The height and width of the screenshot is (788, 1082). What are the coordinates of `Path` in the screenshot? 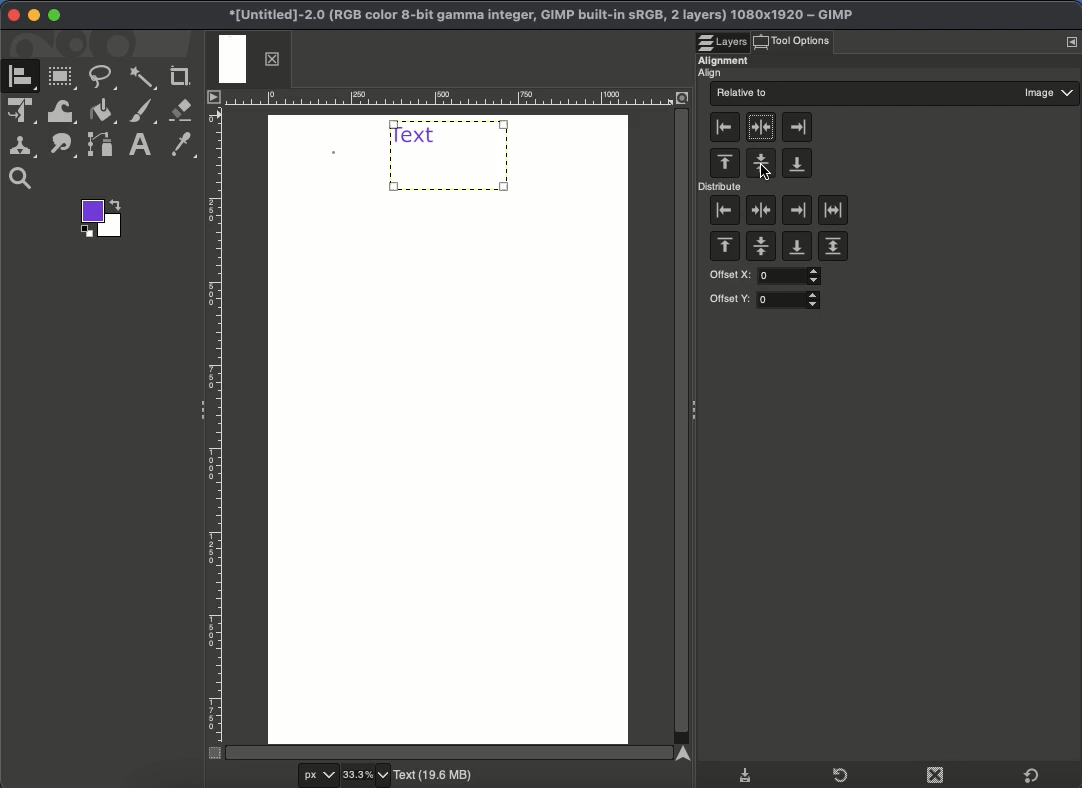 It's located at (99, 147).